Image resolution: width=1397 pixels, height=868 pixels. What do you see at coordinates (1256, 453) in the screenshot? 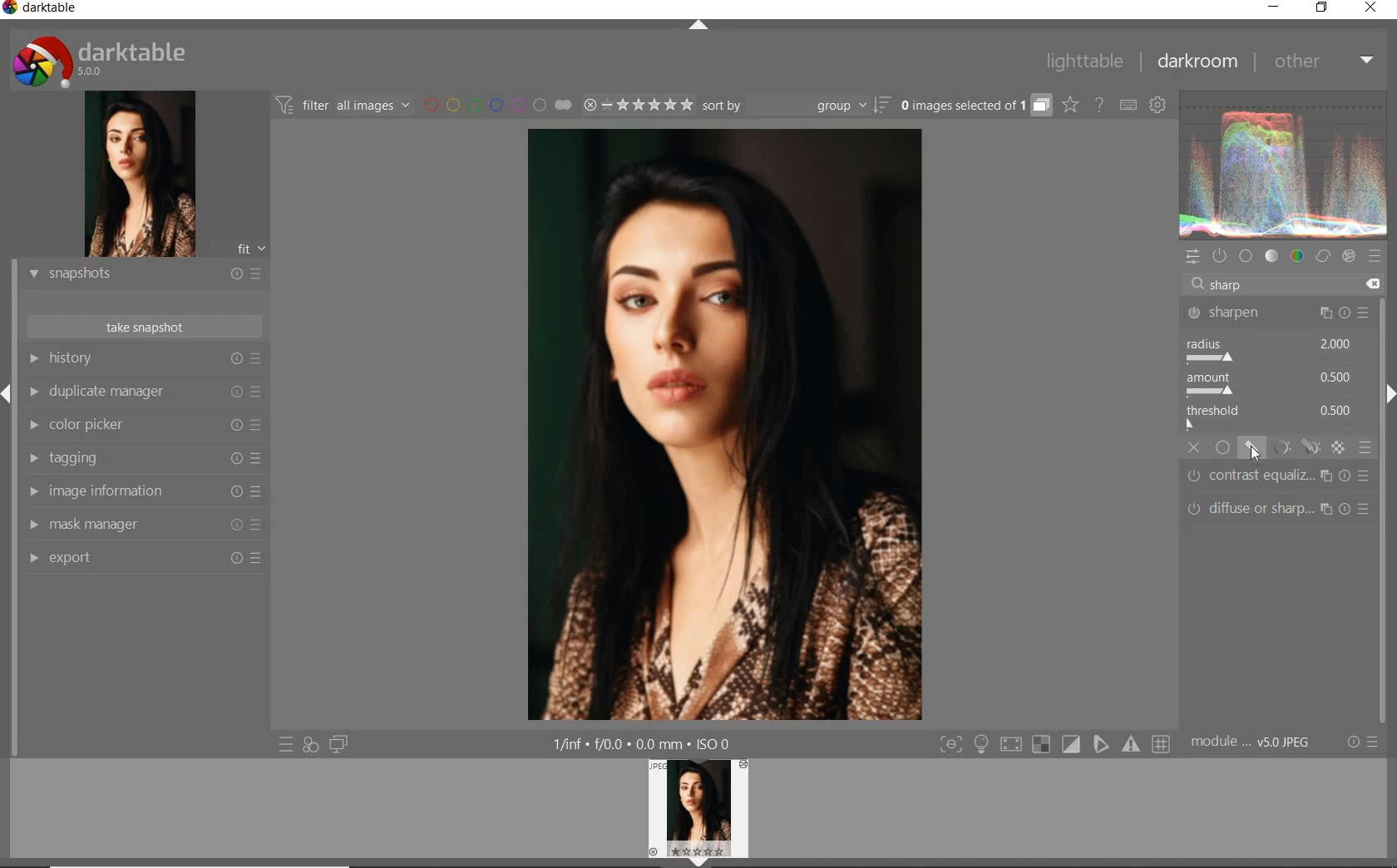
I see `Cursor` at bounding box center [1256, 453].